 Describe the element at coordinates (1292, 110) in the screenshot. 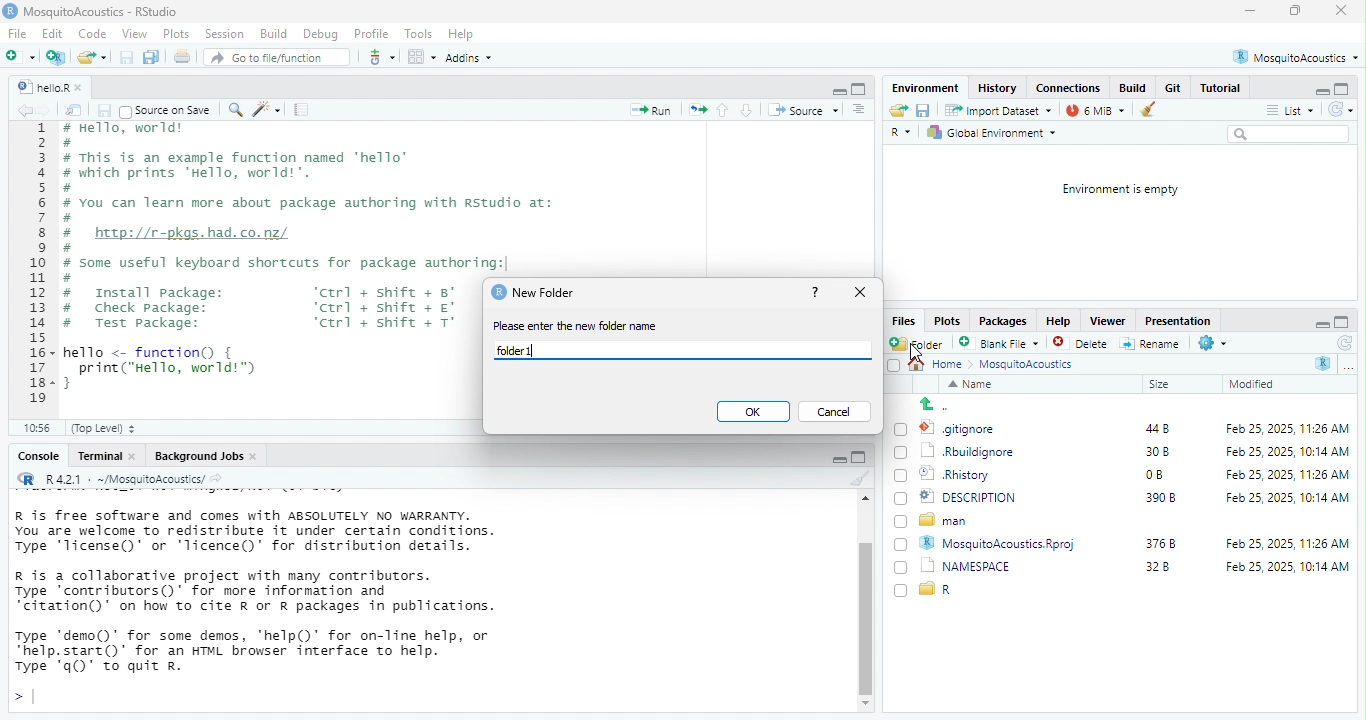

I see ` list` at that location.